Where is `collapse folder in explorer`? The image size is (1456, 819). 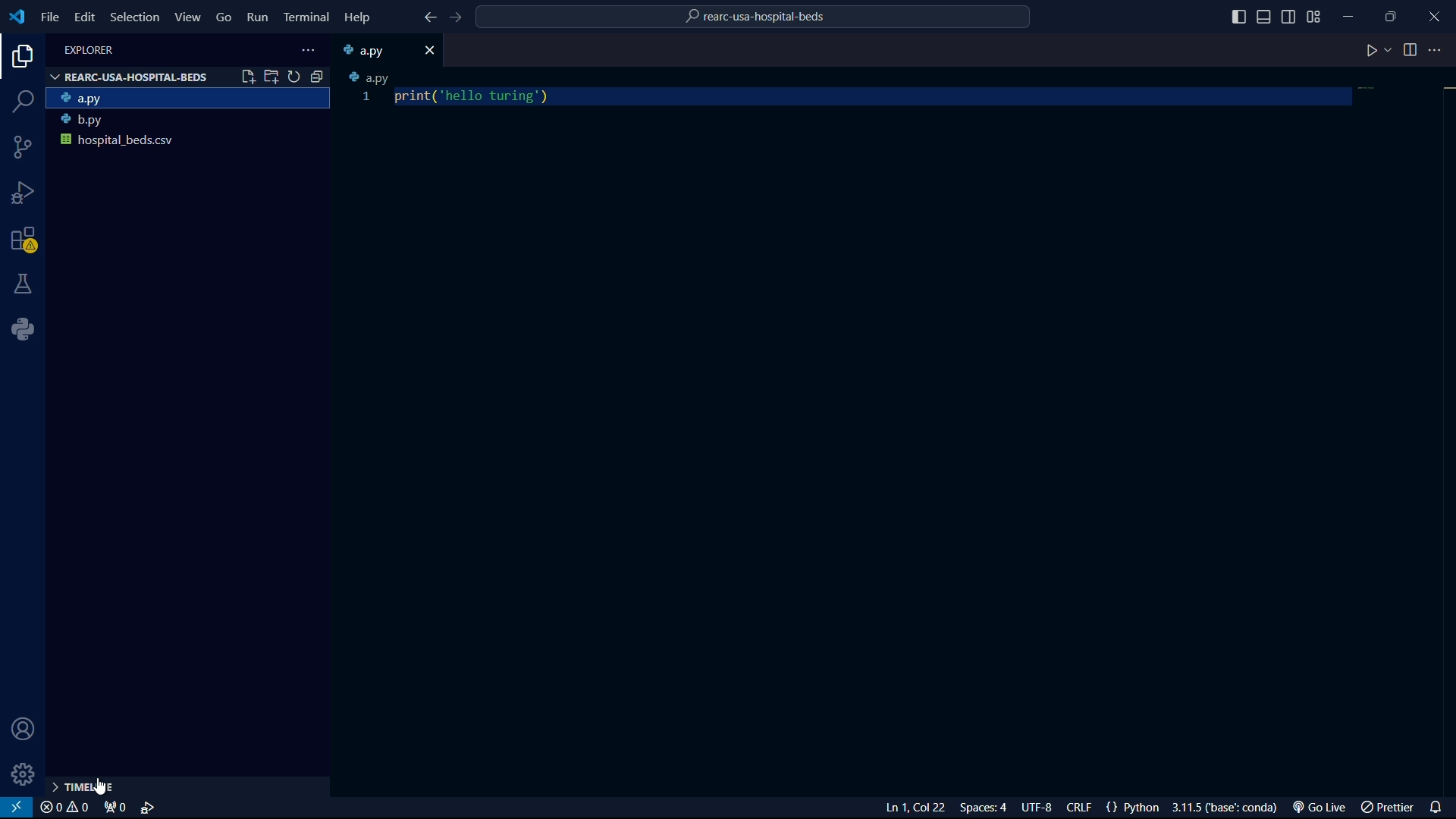 collapse folder in explorer is located at coordinates (317, 77).